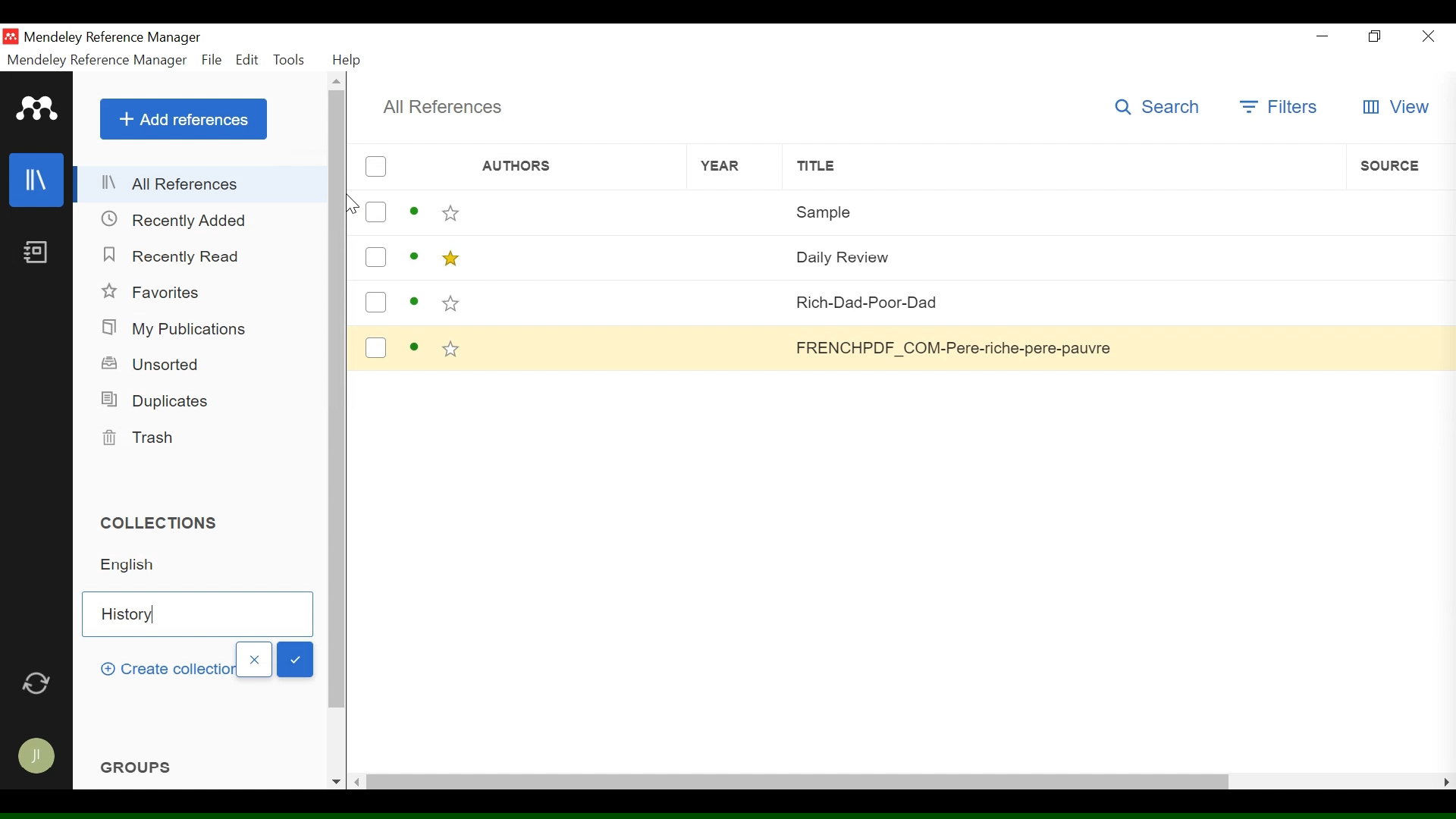 The height and width of the screenshot is (819, 1456). Describe the element at coordinates (12, 36) in the screenshot. I see `Mendeley Desktop Icon` at that location.